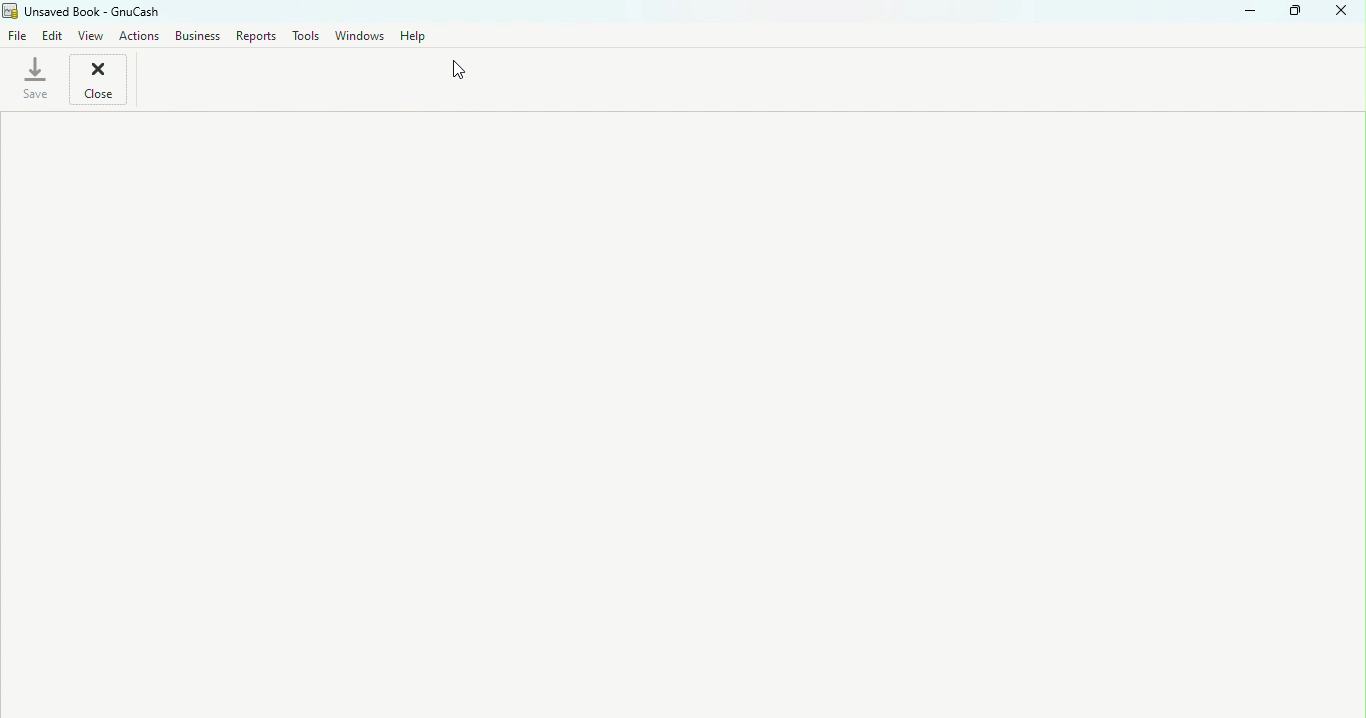 The image size is (1366, 718). What do you see at coordinates (301, 36) in the screenshot?
I see `Tools` at bounding box center [301, 36].